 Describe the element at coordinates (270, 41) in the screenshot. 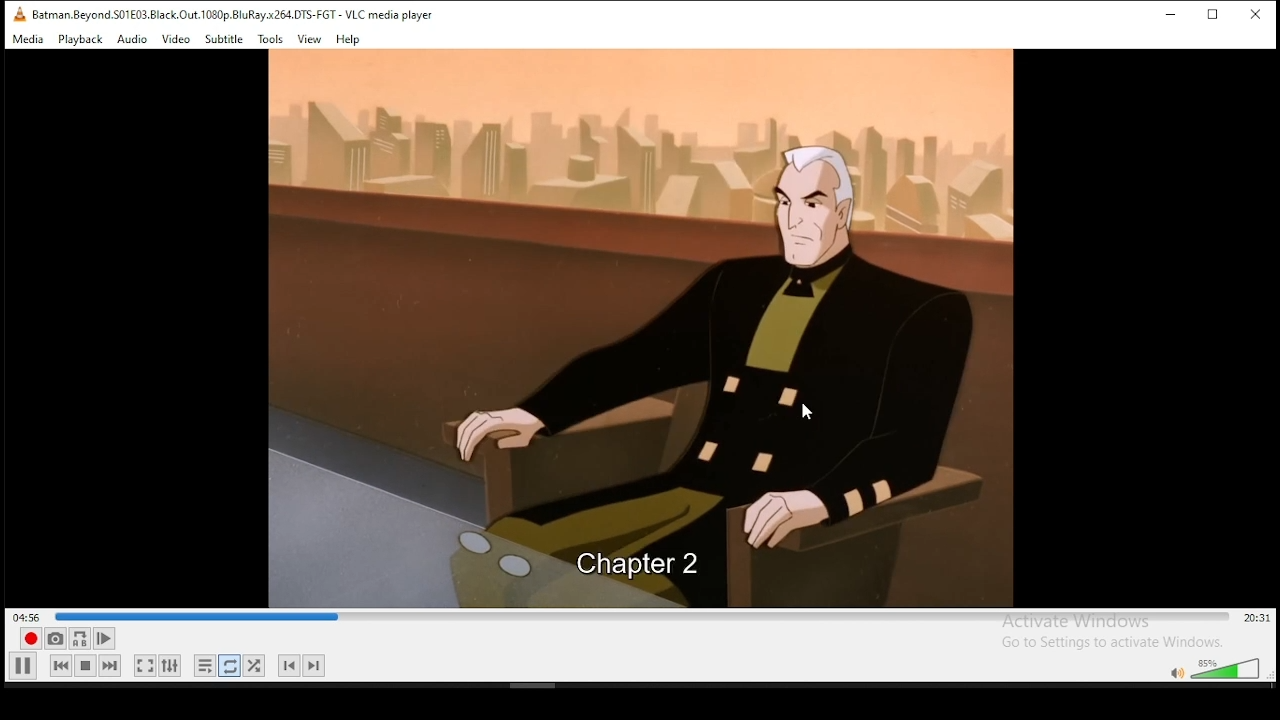

I see `Tools.` at that location.